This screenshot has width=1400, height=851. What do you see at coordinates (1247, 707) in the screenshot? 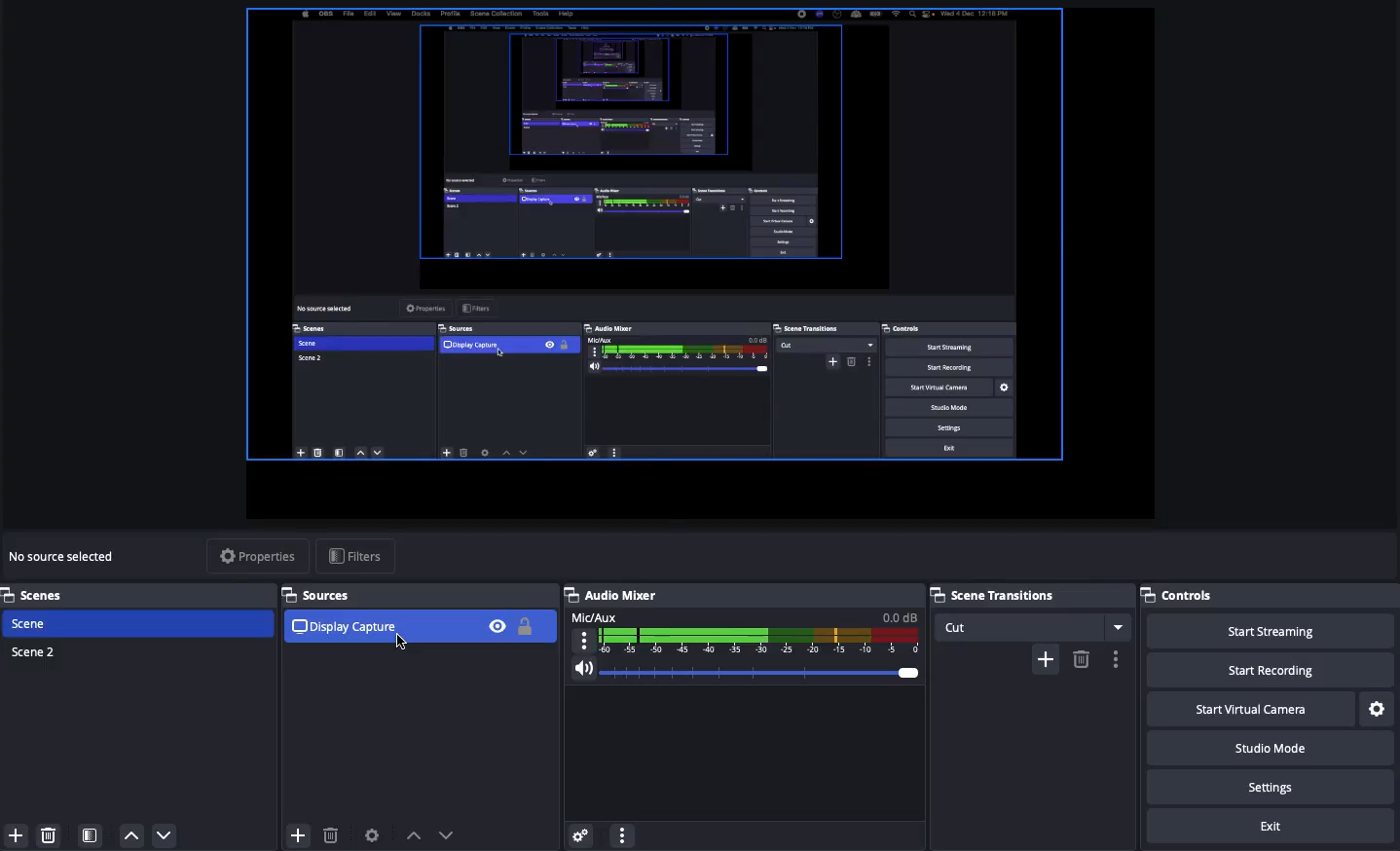
I see `Start virtual camera` at bounding box center [1247, 707].